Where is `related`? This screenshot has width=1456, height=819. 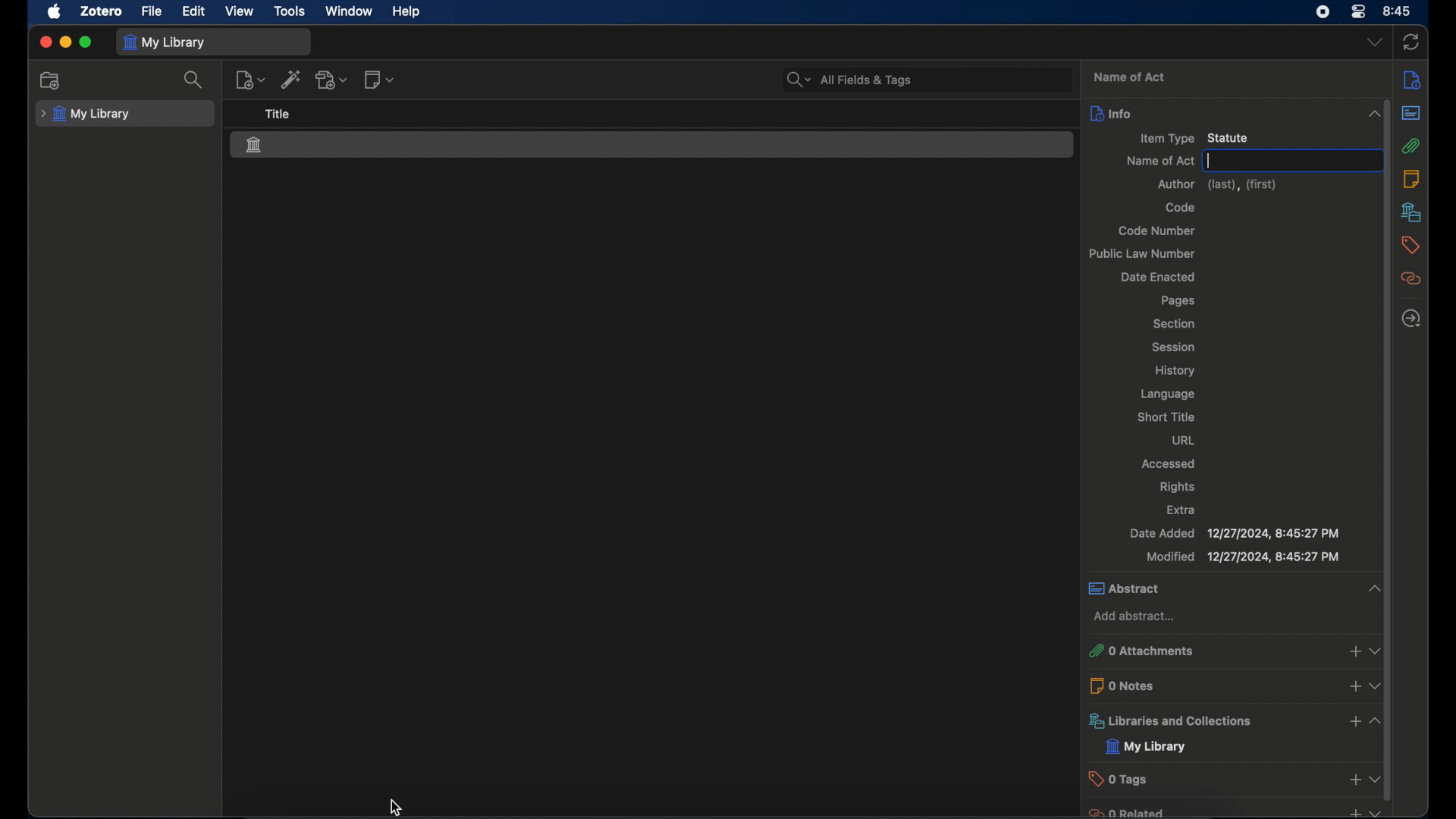 related is located at coordinates (1410, 279).